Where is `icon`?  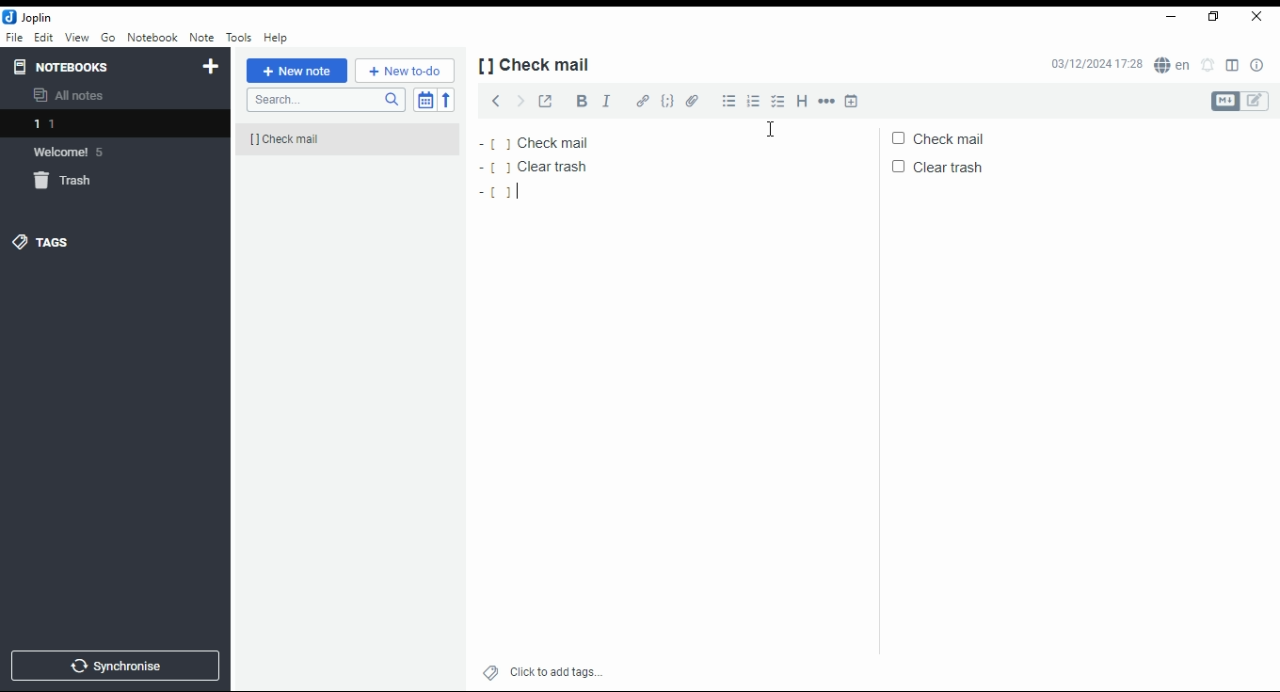 icon is located at coordinates (28, 16).